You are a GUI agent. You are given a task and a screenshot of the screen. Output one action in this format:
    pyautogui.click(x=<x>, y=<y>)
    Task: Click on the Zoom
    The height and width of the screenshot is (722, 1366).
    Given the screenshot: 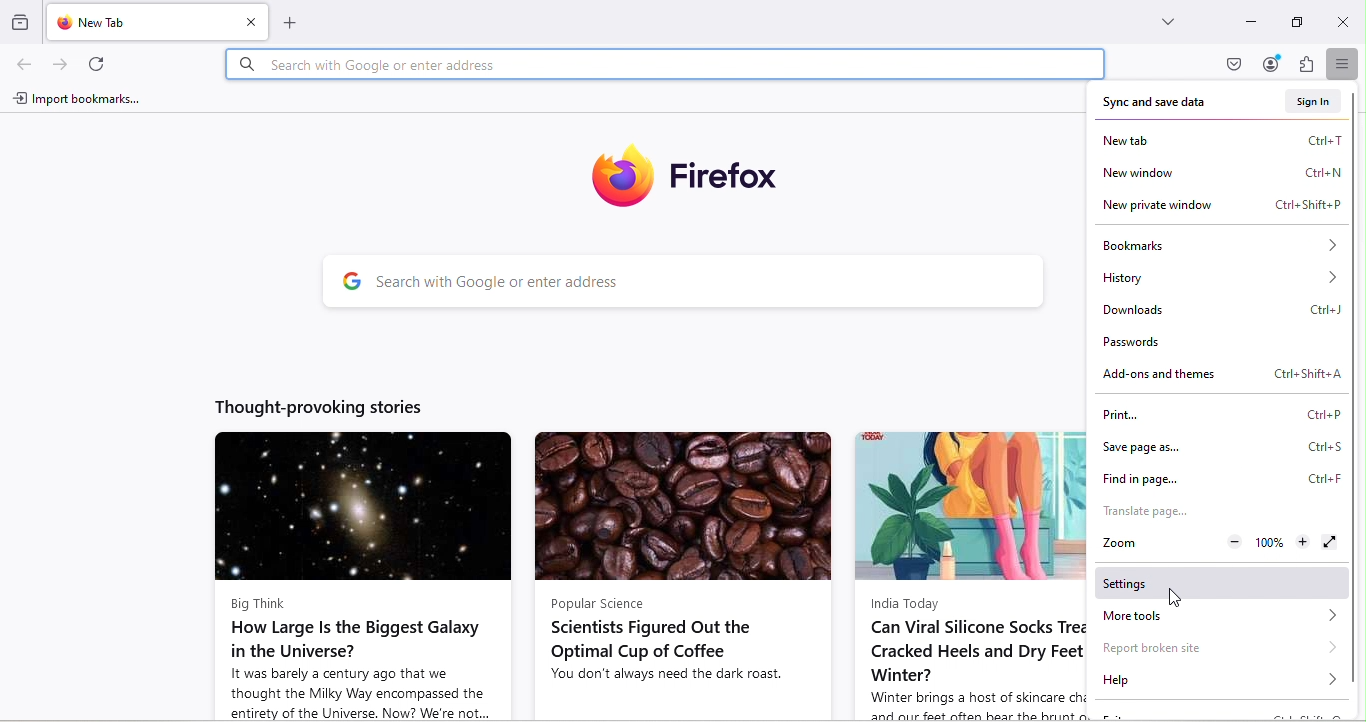 What is the action you would take?
    pyautogui.click(x=1143, y=548)
    